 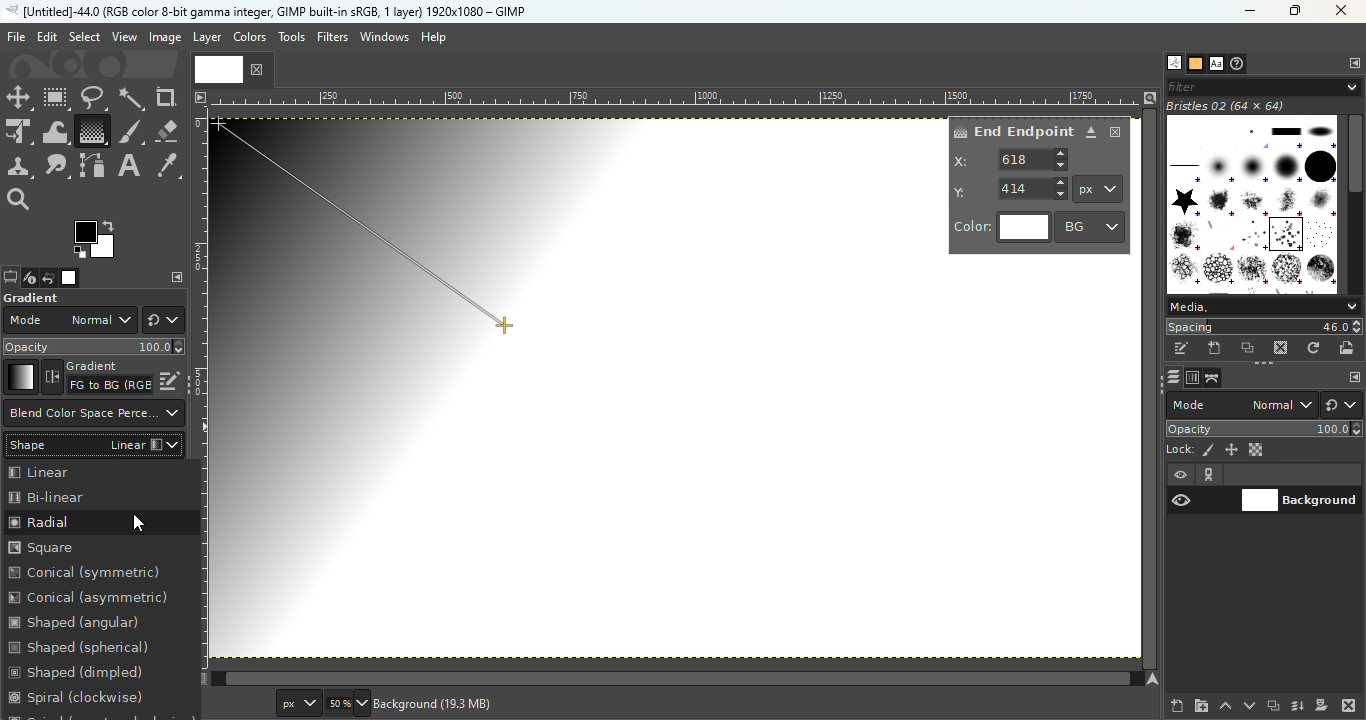 What do you see at coordinates (1355, 201) in the screenshot?
I see `Scroll bar` at bounding box center [1355, 201].